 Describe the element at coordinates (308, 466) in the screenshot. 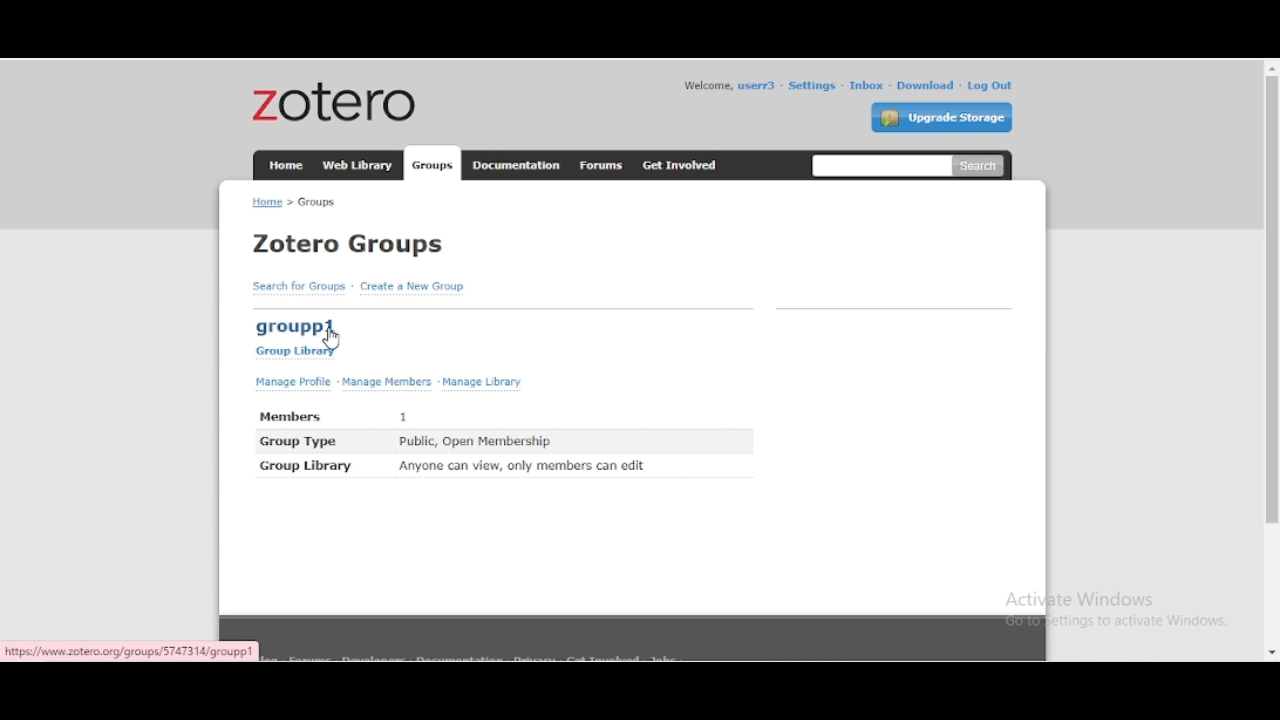

I see `group library` at that location.